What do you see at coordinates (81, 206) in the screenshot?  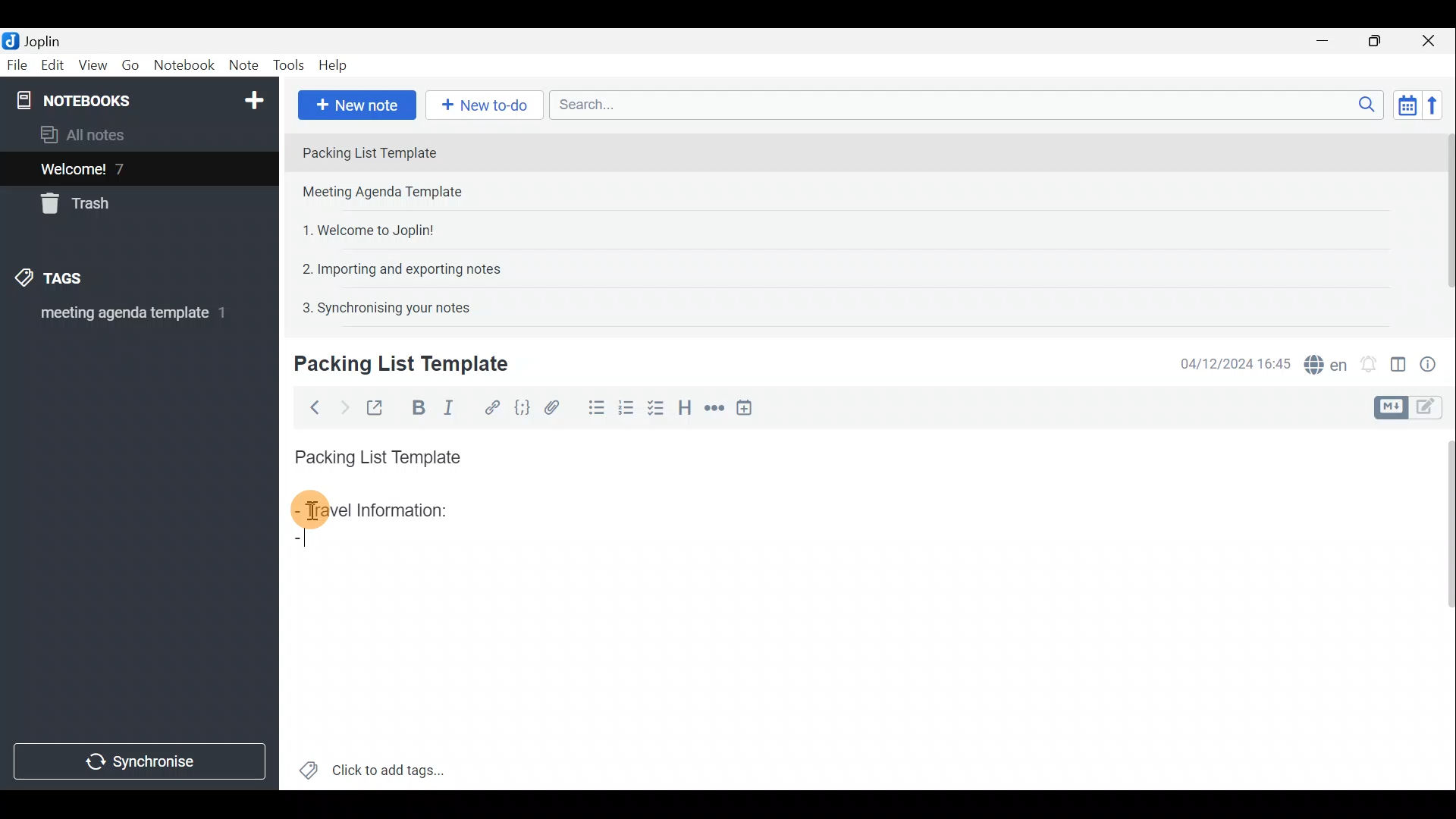 I see `Trash` at bounding box center [81, 206].